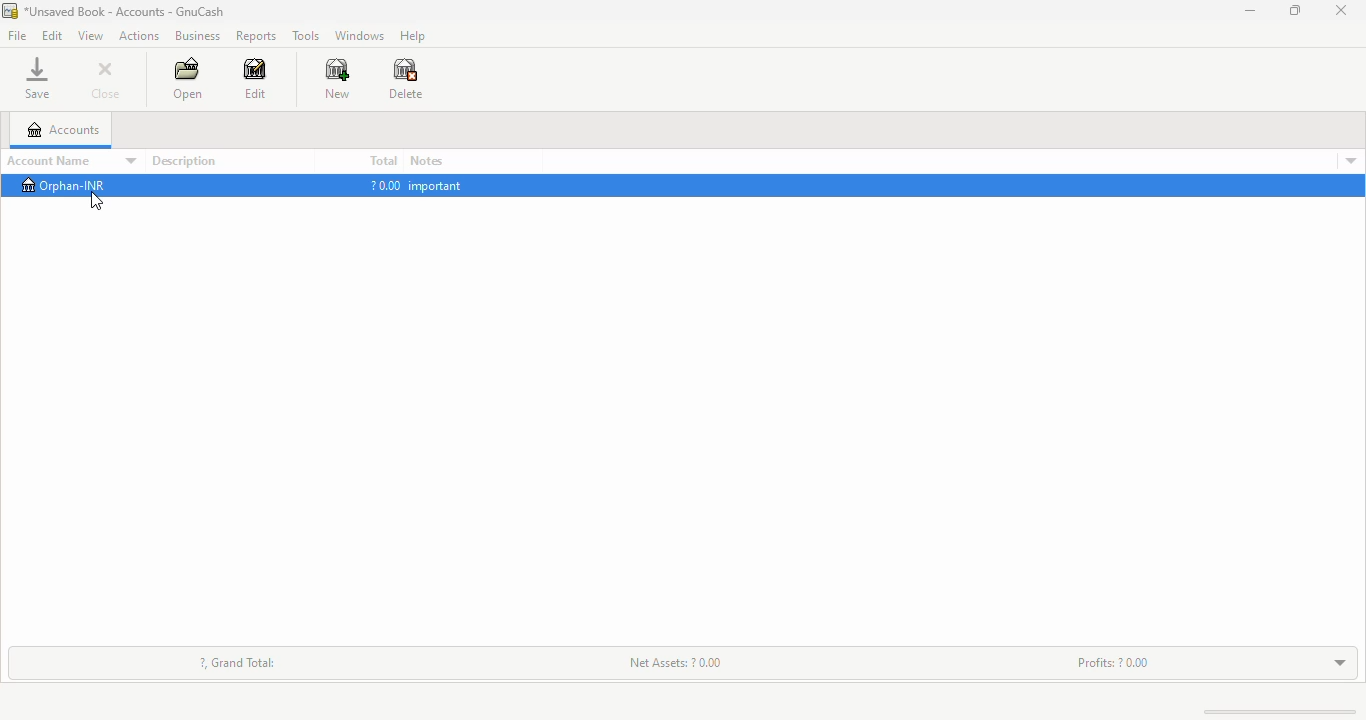 This screenshot has width=1366, height=720. Describe the element at coordinates (406, 78) in the screenshot. I see `delete` at that location.